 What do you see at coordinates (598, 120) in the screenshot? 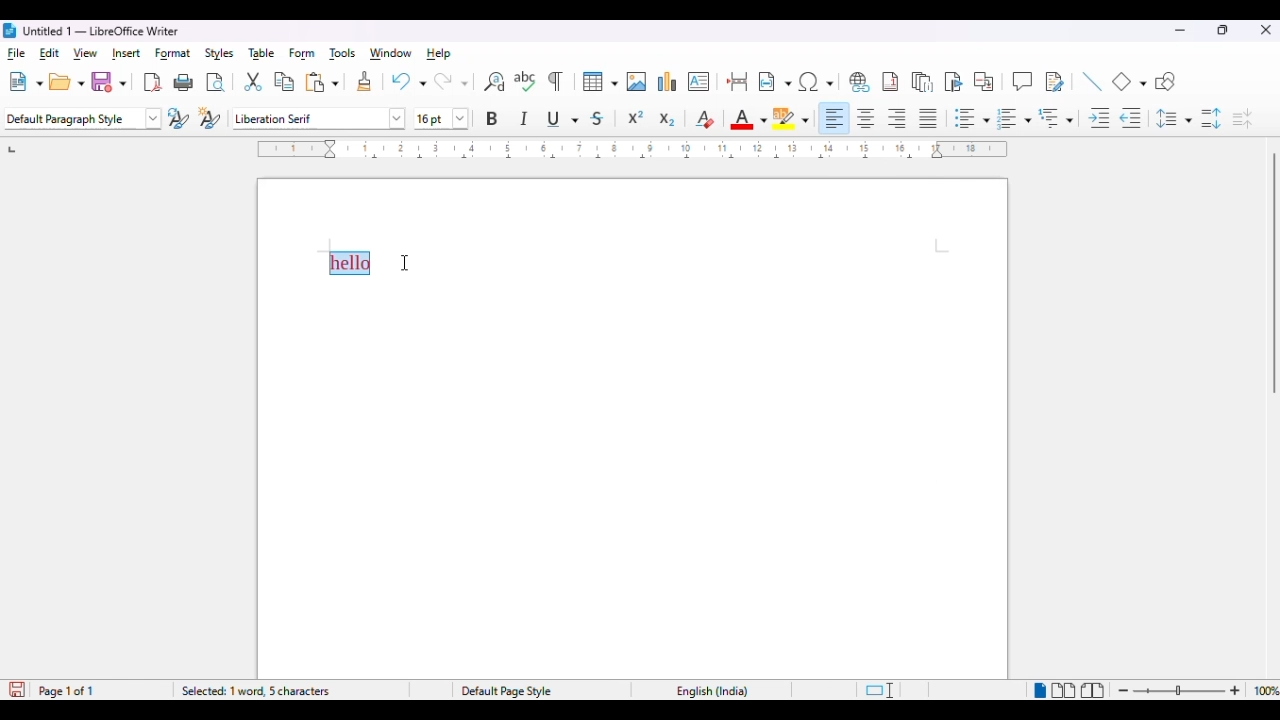
I see `strikethrough` at bounding box center [598, 120].